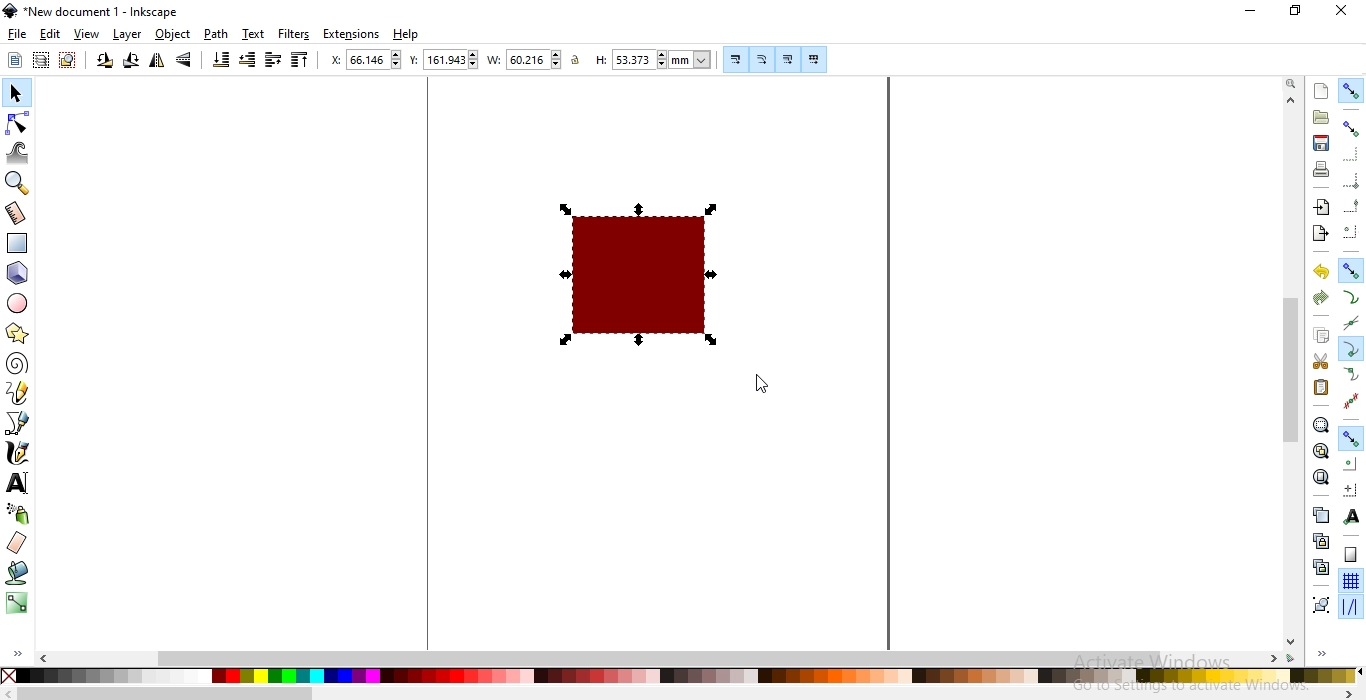 The width and height of the screenshot is (1366, 700). I want to click on close, so click(1340, 12).